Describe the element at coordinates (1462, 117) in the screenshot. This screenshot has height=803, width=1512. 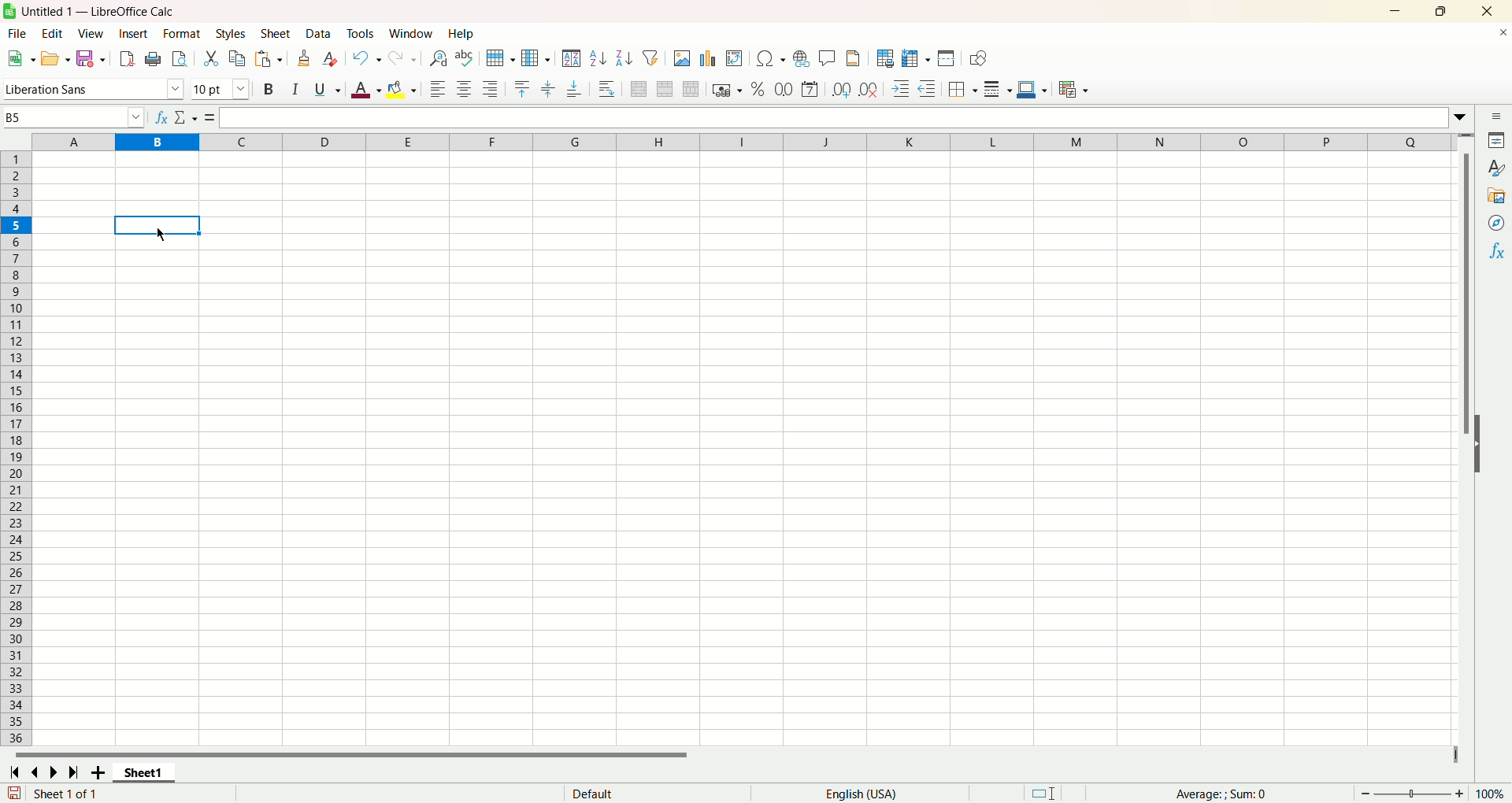
I see `expand formula bar` at that location.